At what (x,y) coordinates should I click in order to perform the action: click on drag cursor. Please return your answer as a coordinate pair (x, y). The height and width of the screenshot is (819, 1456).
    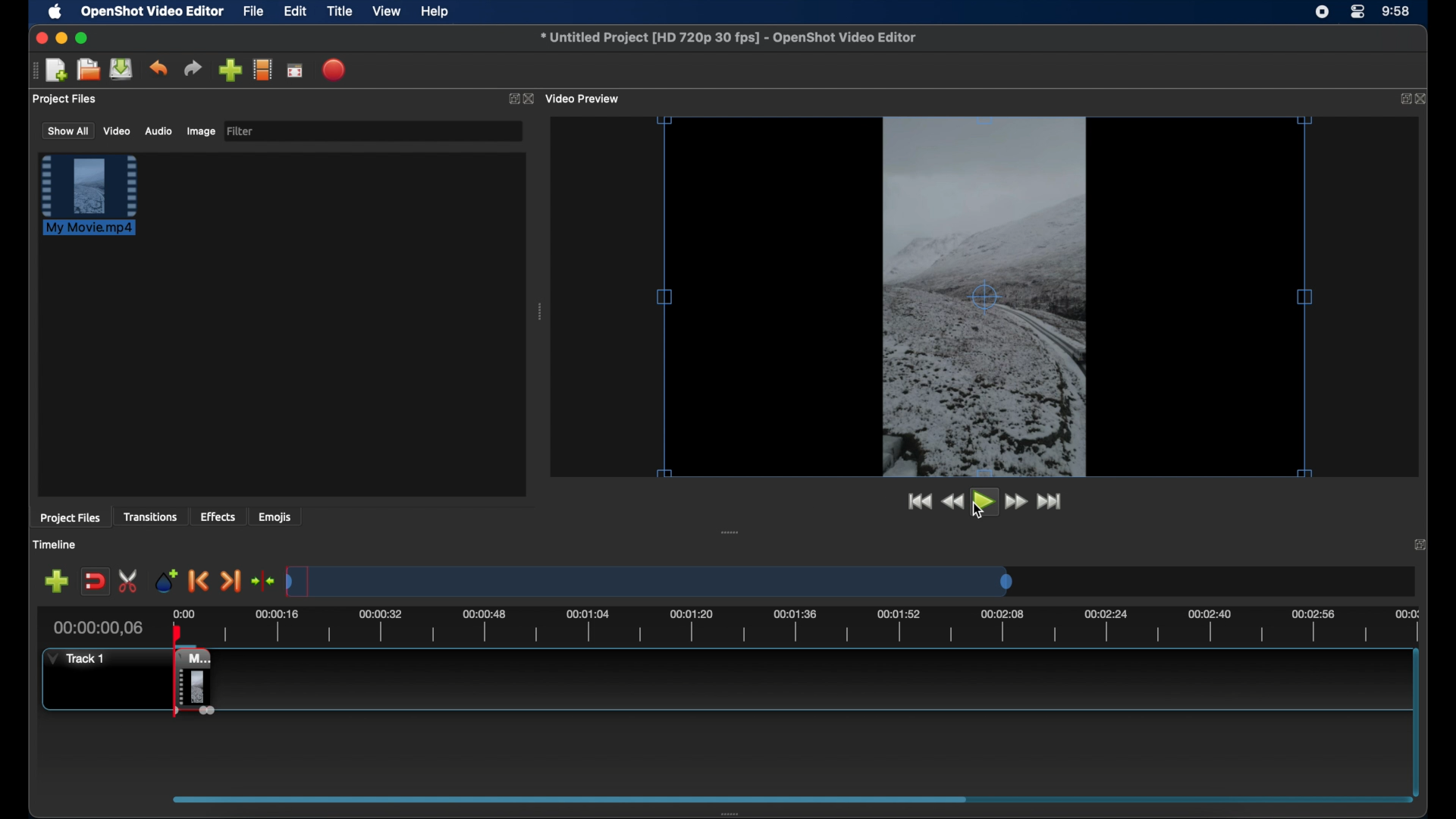
    Looking at the image, I should click on (179, 680).